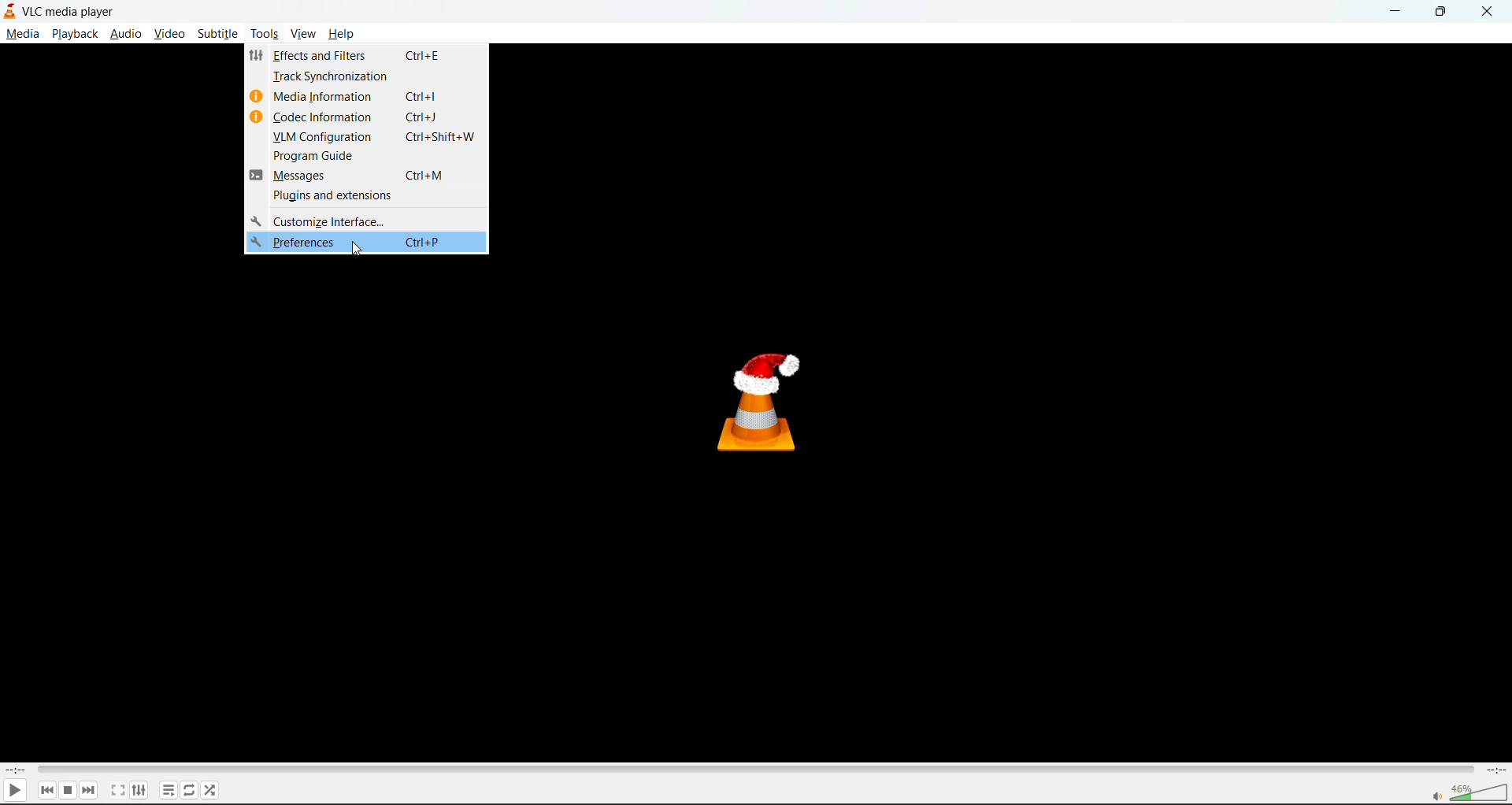 The width and height of the screenshot is (1512, 805). Describe the element at coordinates (137, 789) in the screenshot. I see `settings` at that location.